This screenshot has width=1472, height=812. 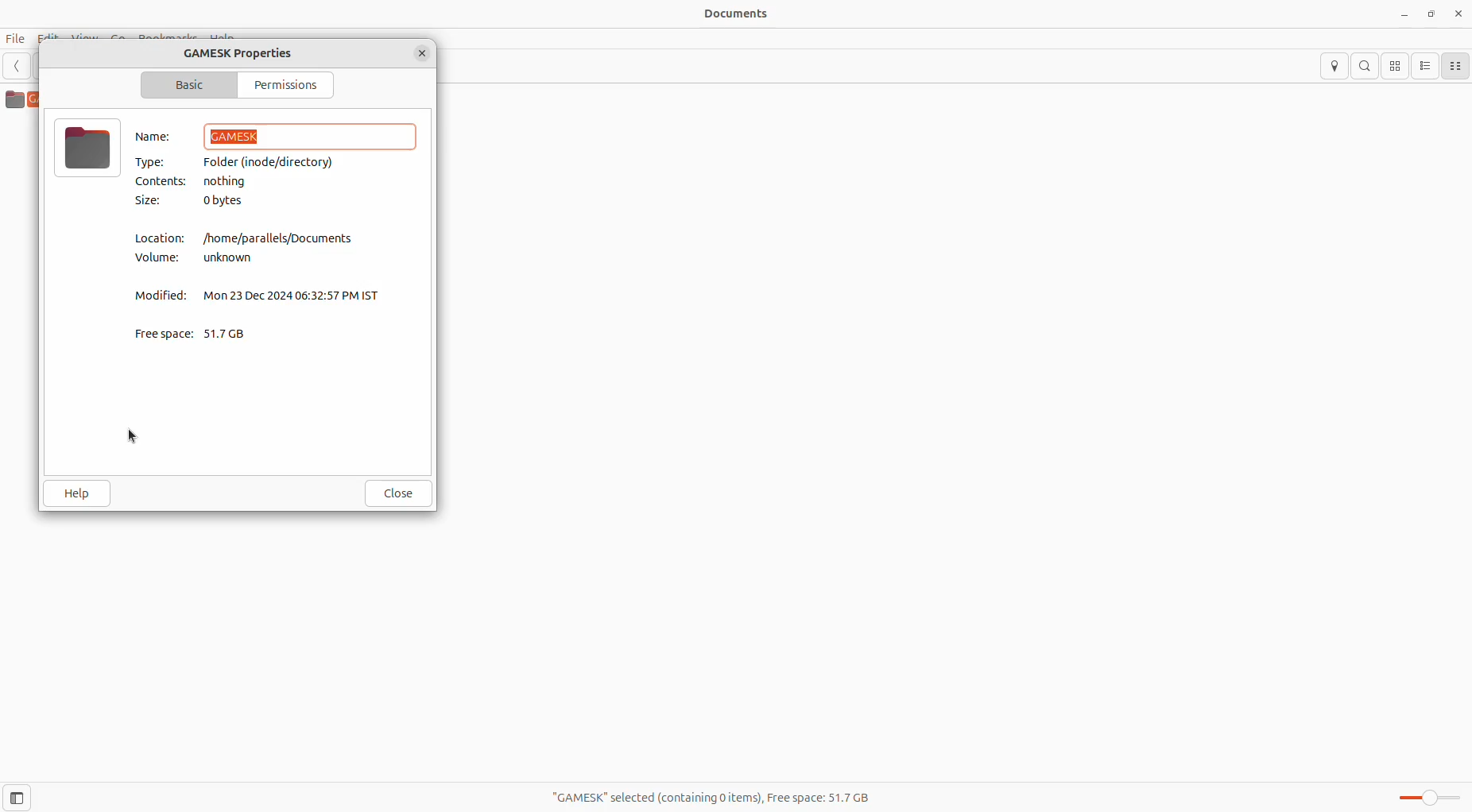 What do you see at coordinates (165, 182) in the screenshot?
I see `Contents:` at bounding box center [165, 182].